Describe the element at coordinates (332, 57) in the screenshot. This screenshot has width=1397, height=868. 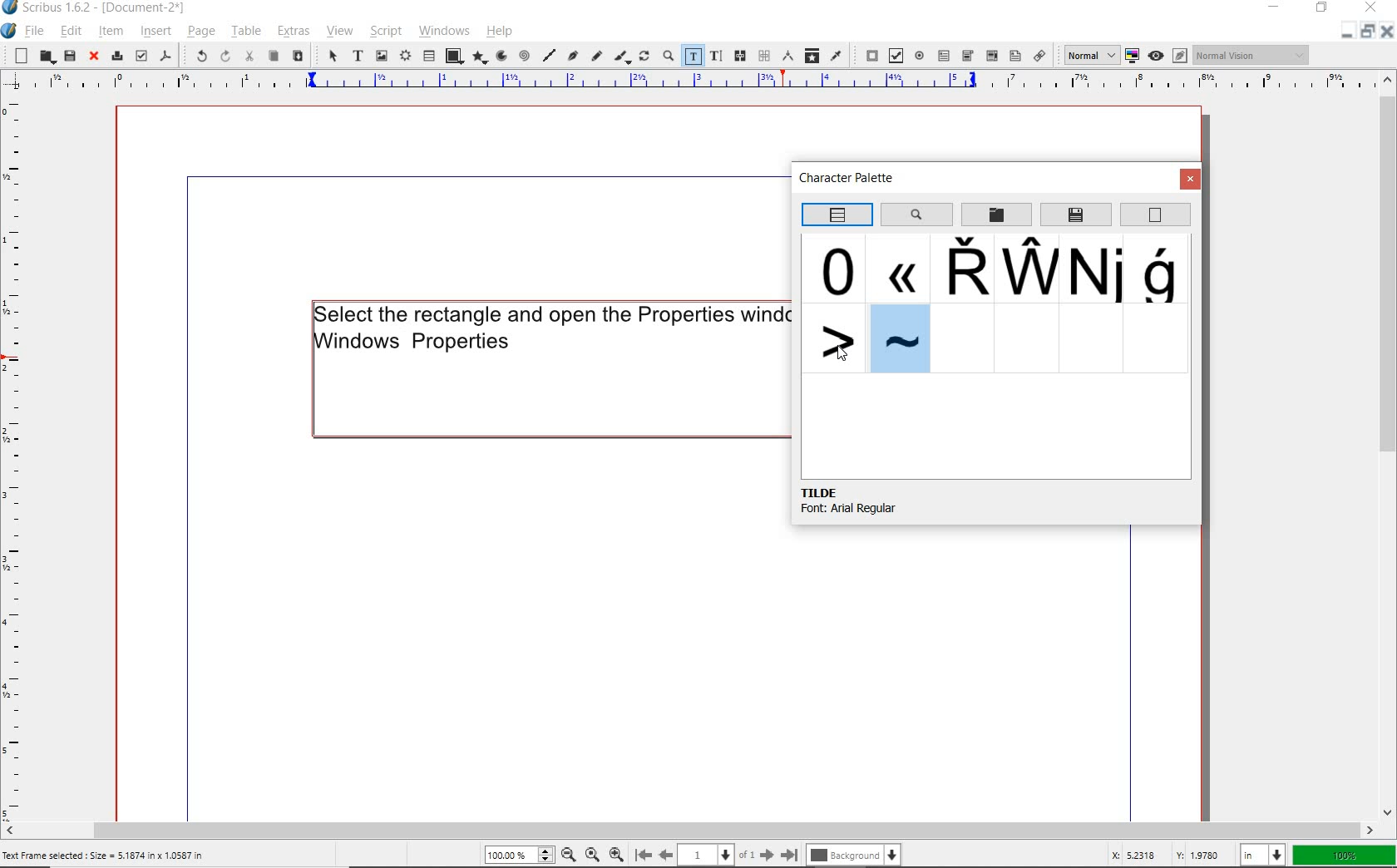
I see `select item` at that location.